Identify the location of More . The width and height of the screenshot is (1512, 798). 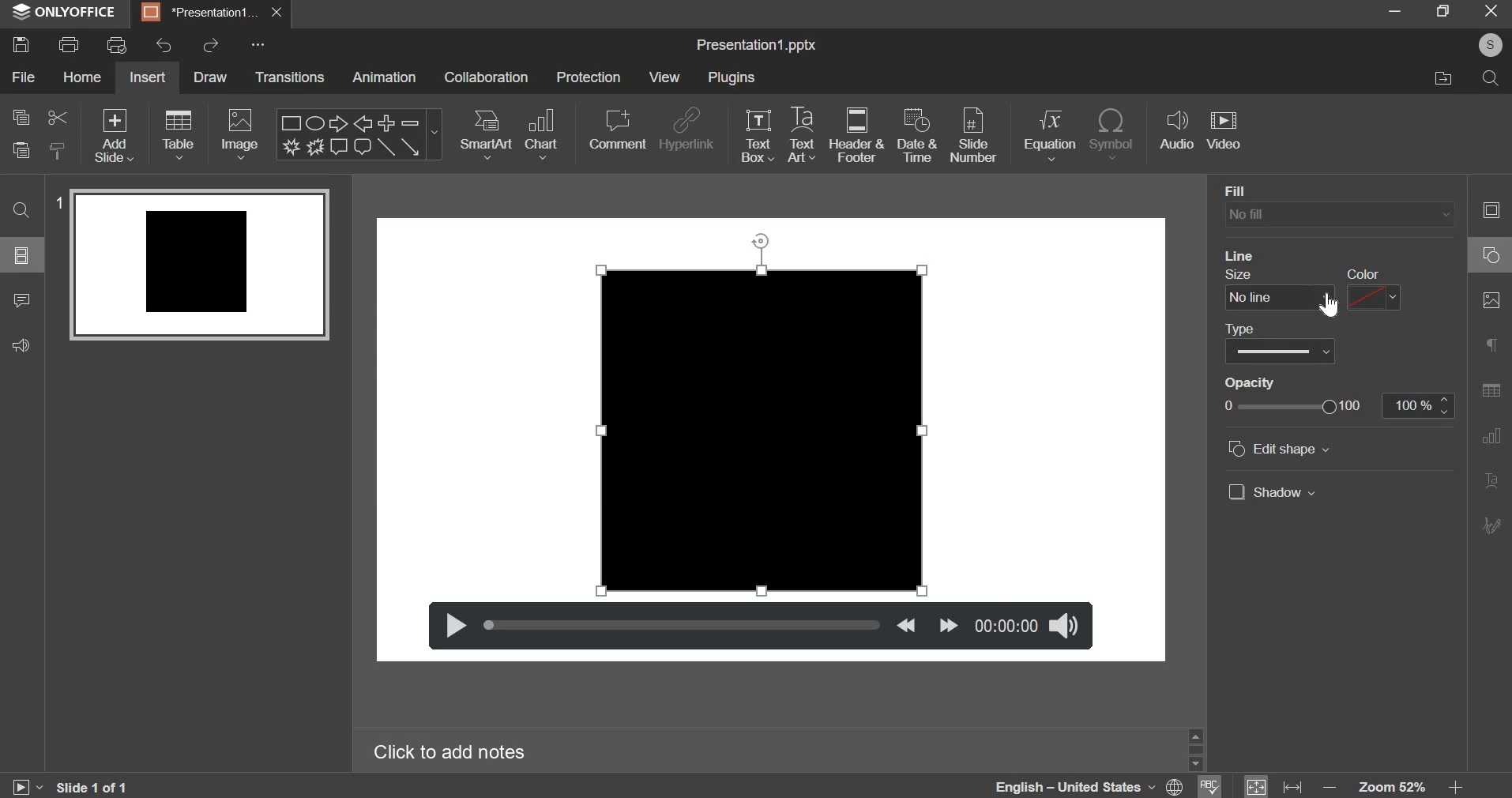
(261, 46).